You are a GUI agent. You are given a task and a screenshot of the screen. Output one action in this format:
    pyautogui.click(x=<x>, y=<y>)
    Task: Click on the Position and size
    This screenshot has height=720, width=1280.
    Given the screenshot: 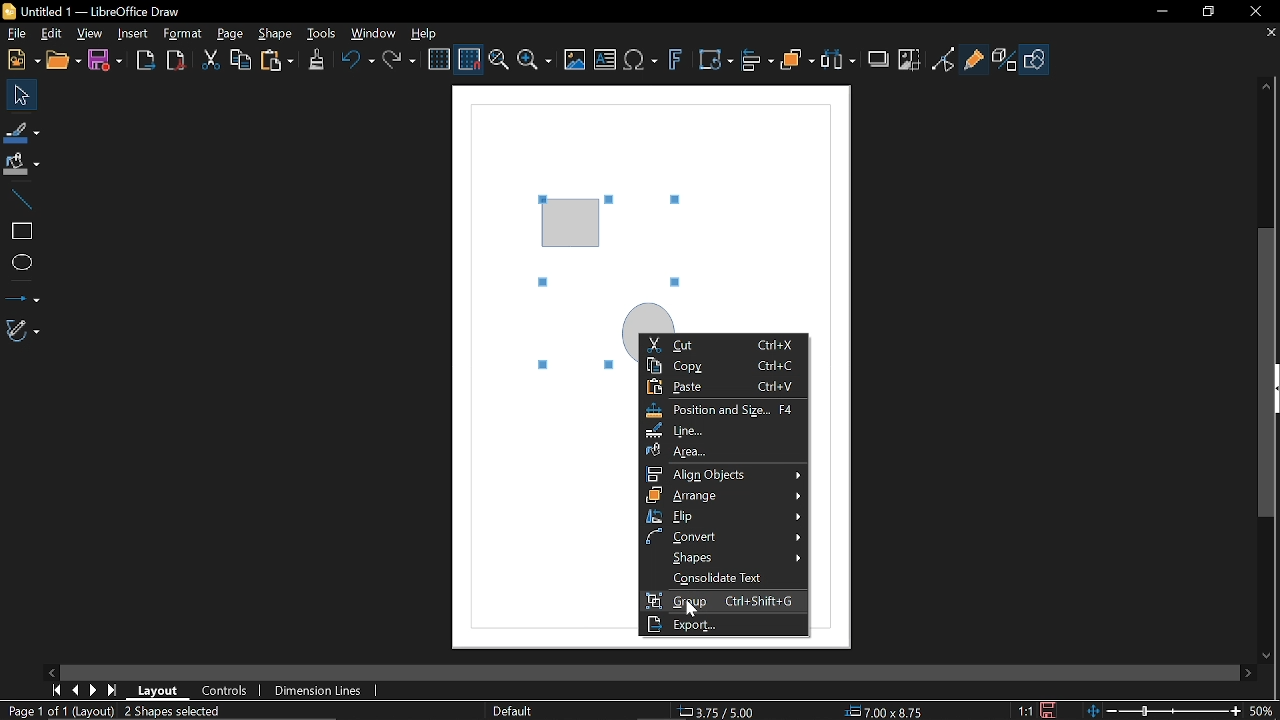 What is the action you would take?
    pyautogui.click(x=722, y=409)
    